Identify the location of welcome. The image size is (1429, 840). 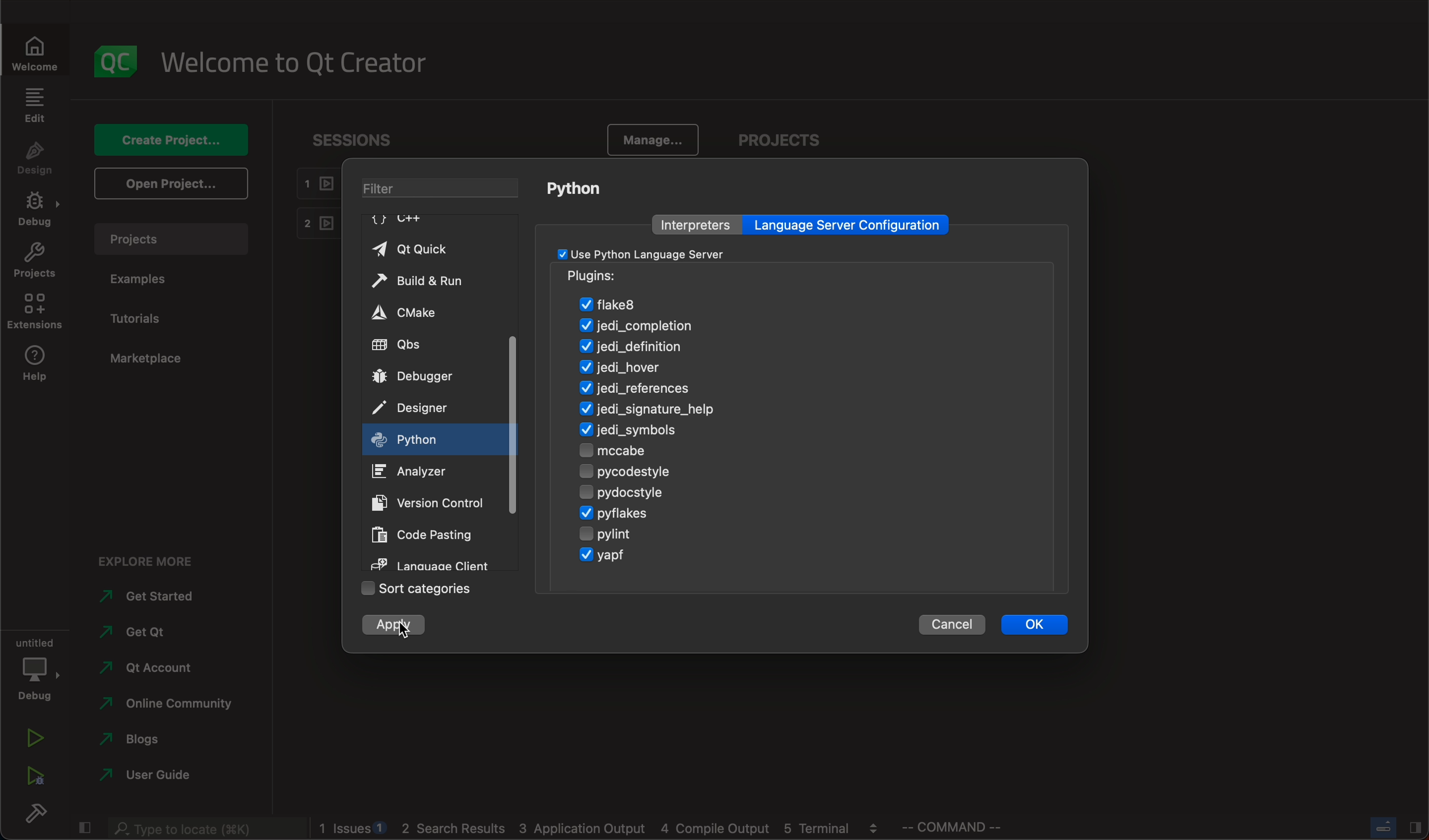
(33, 51).